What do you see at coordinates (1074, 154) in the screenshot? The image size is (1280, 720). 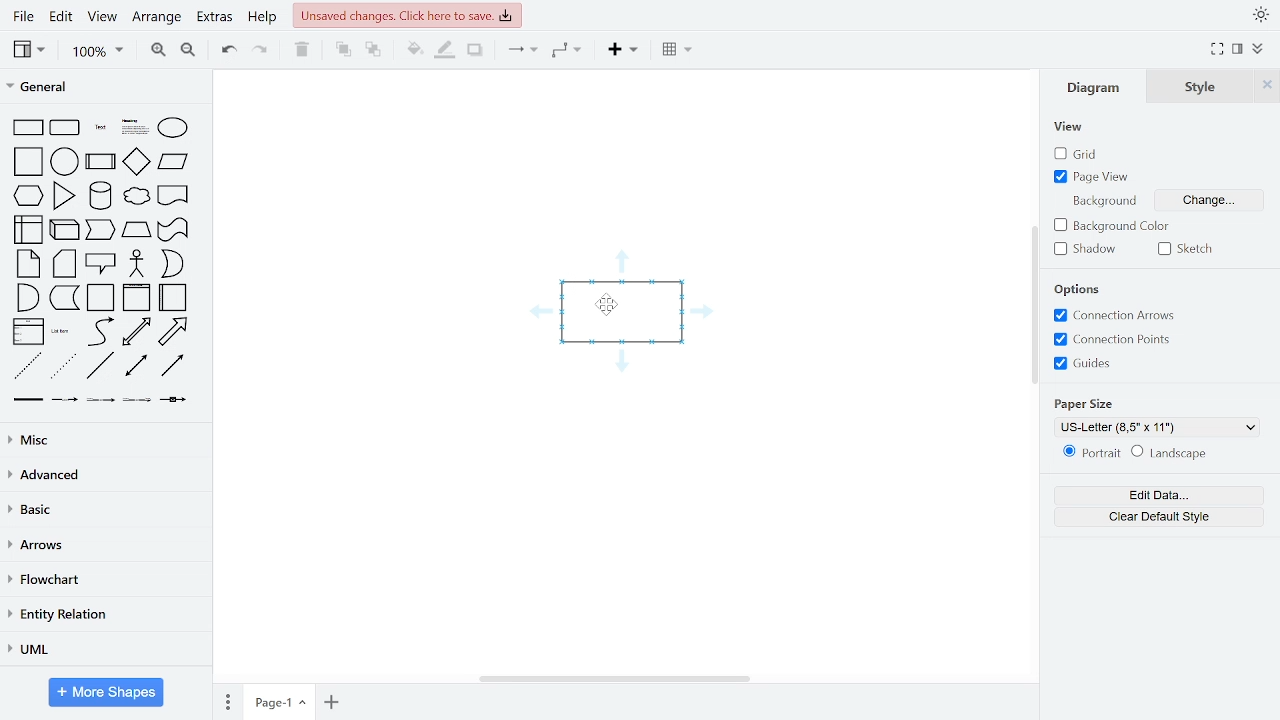 I see `grid` at bounding box center [1074, 154].